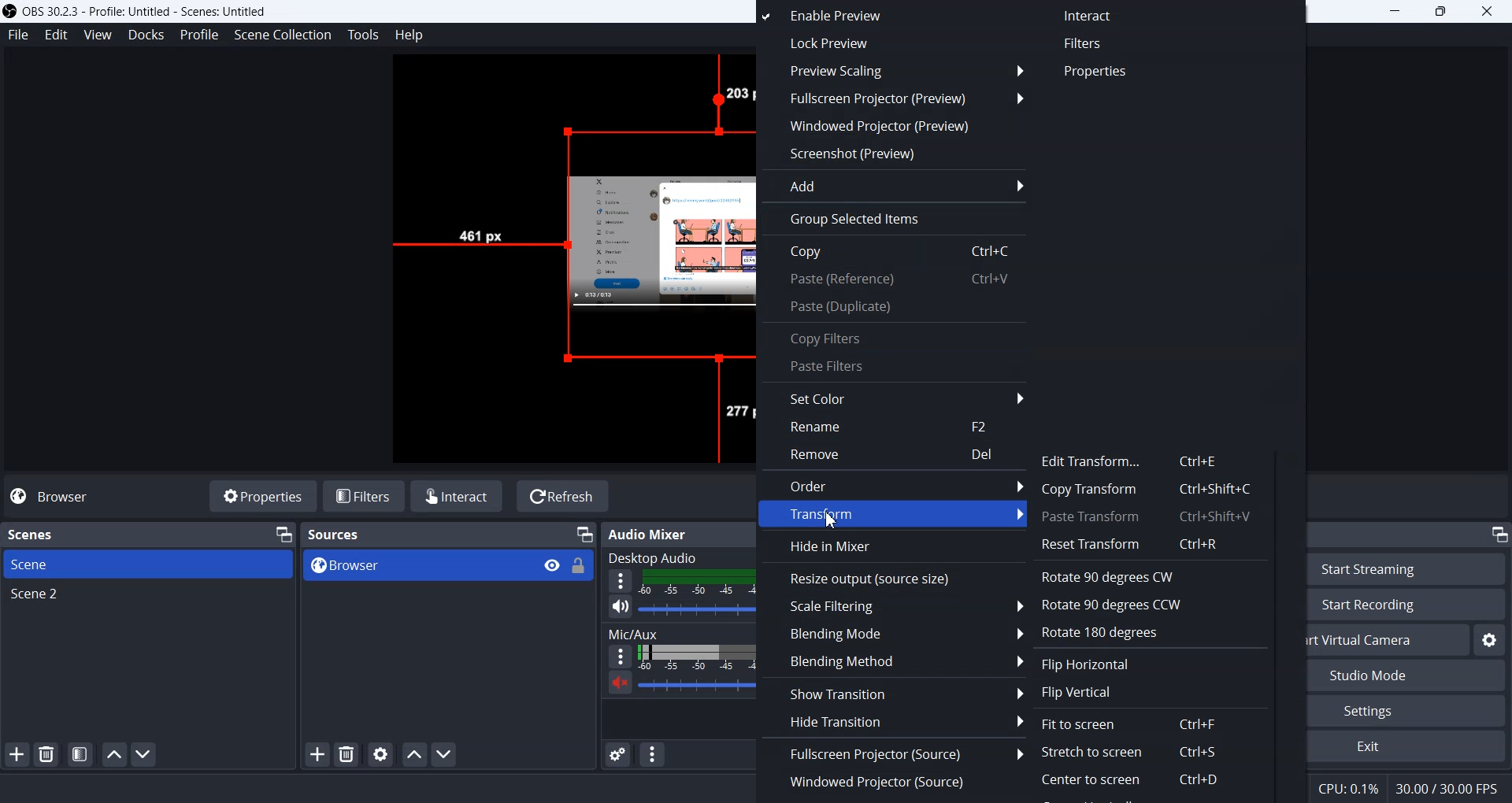 This screenshot has height=803, width=1512. I want to click on Interact, so click(1090, 17).